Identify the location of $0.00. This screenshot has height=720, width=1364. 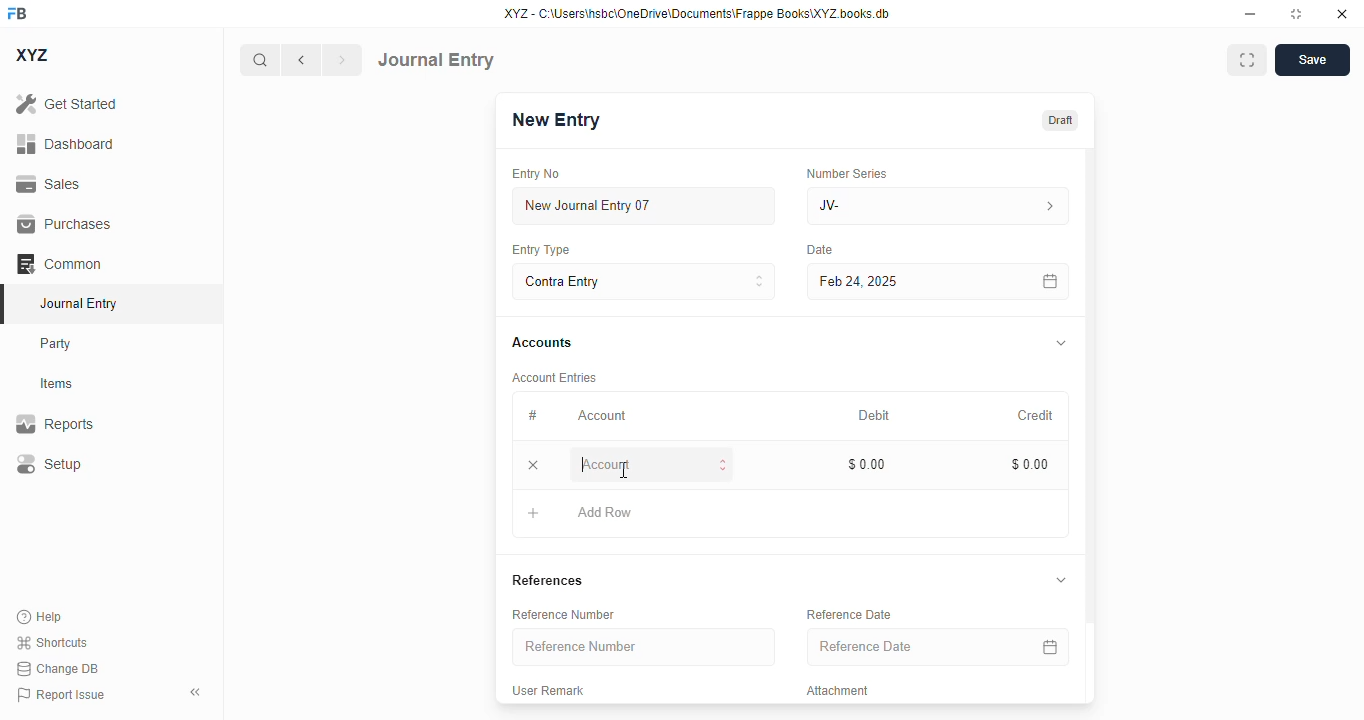
(868, 464).